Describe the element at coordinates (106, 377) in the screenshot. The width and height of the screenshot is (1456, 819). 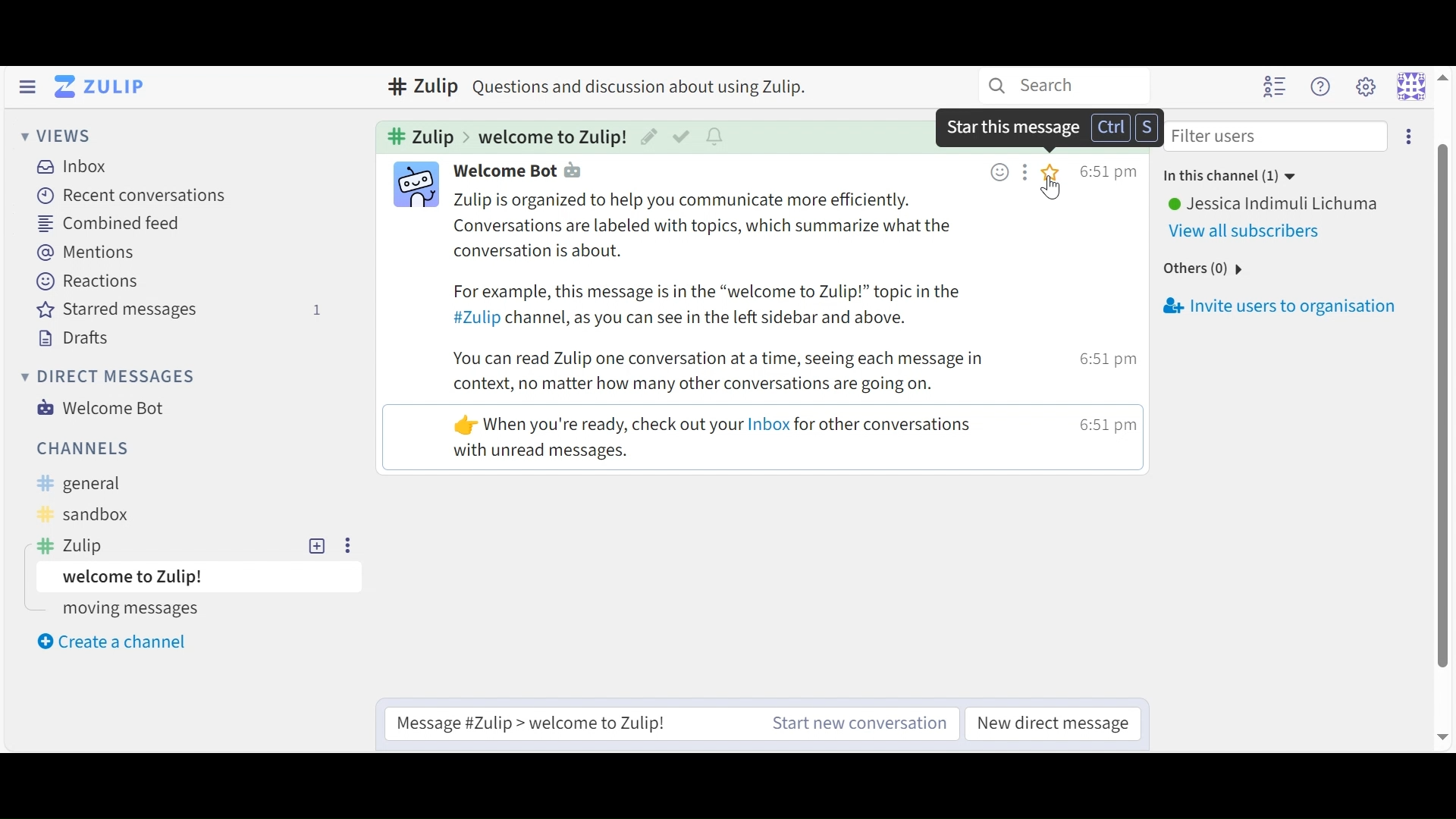
I see `Direct Messages` at that location.